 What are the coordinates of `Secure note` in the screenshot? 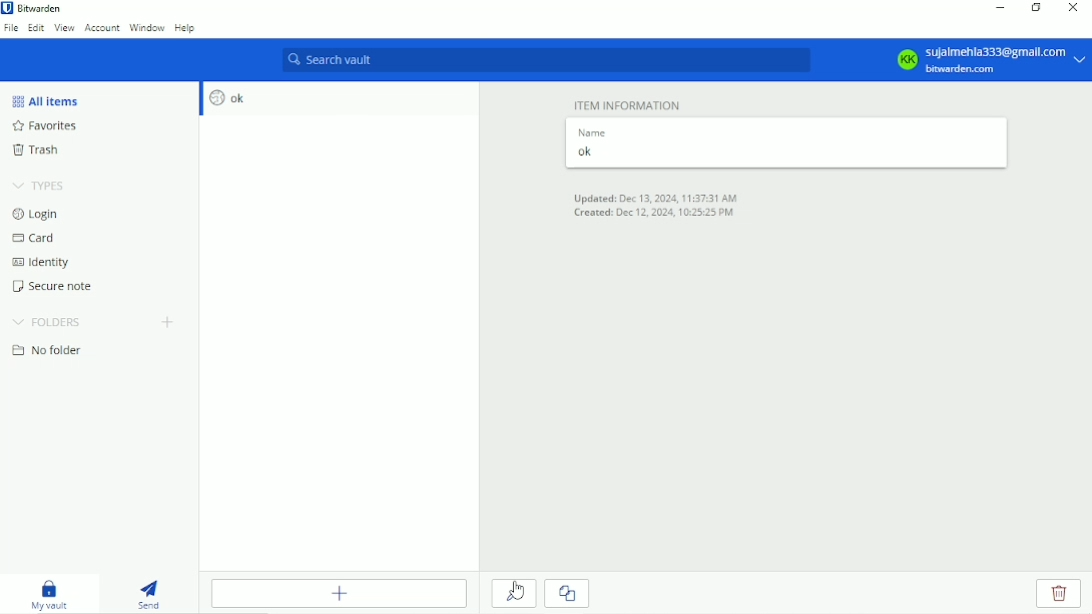 It's located at (57, 286).